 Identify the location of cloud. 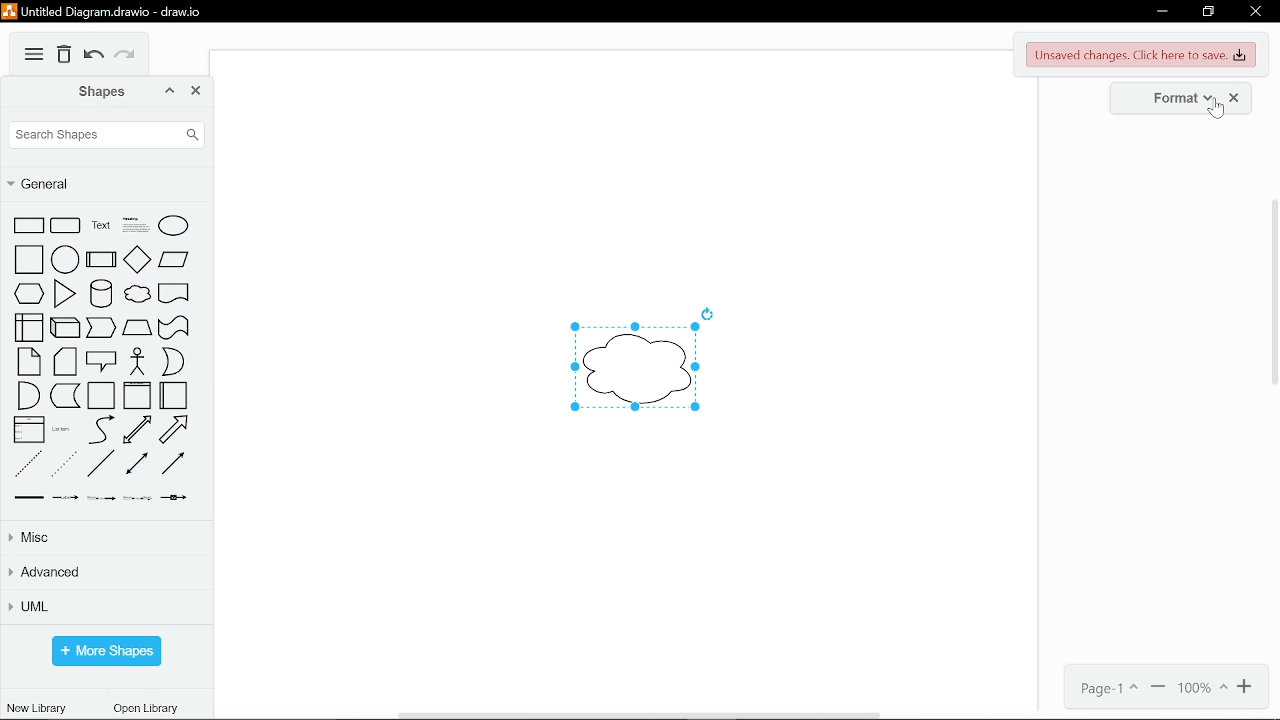
(136, 294).